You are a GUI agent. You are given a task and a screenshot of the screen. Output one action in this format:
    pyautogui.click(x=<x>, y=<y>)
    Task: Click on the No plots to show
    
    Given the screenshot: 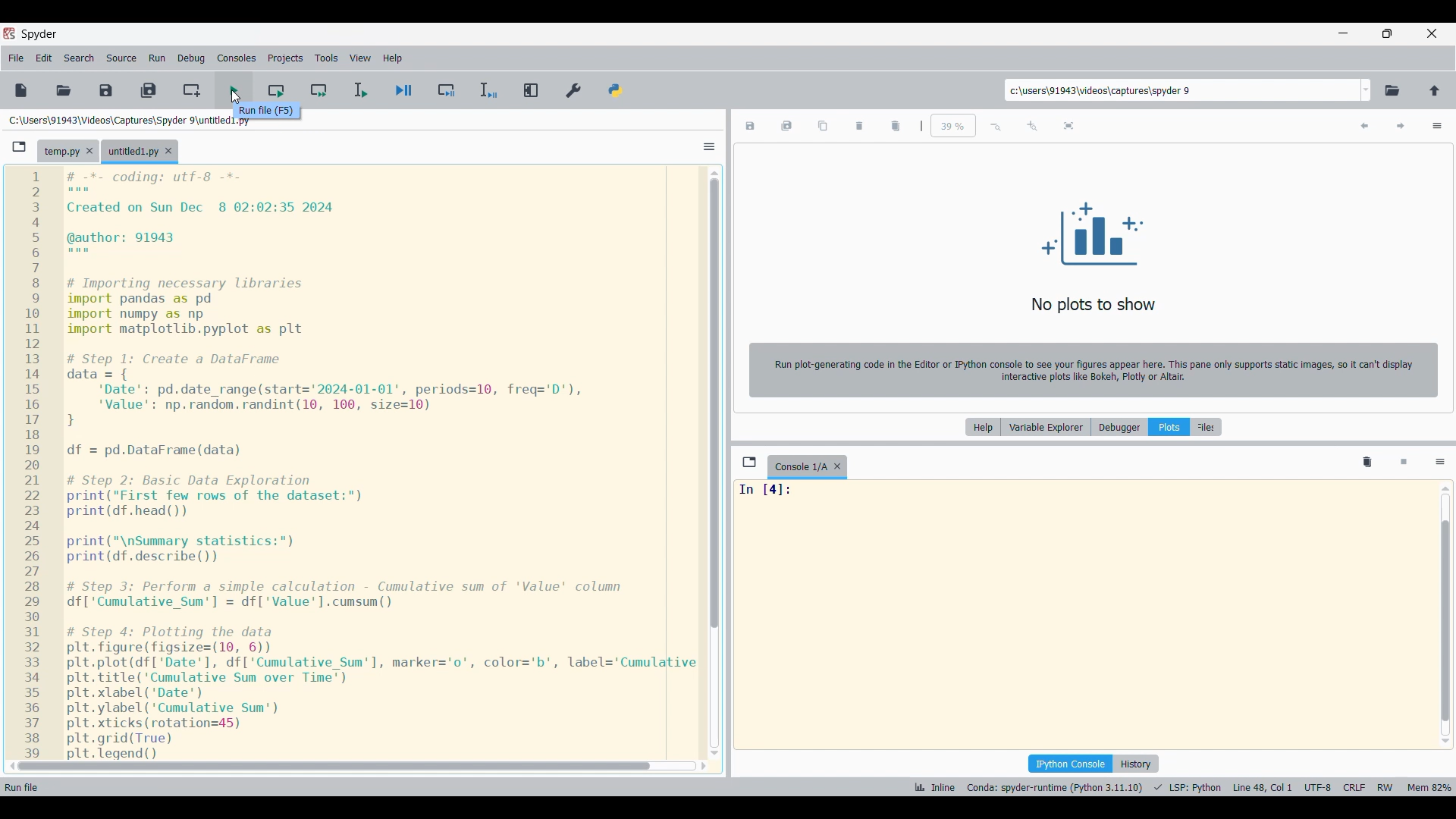 What is the action you would take?
    pyautogui.click(x=1098, y=255)
    